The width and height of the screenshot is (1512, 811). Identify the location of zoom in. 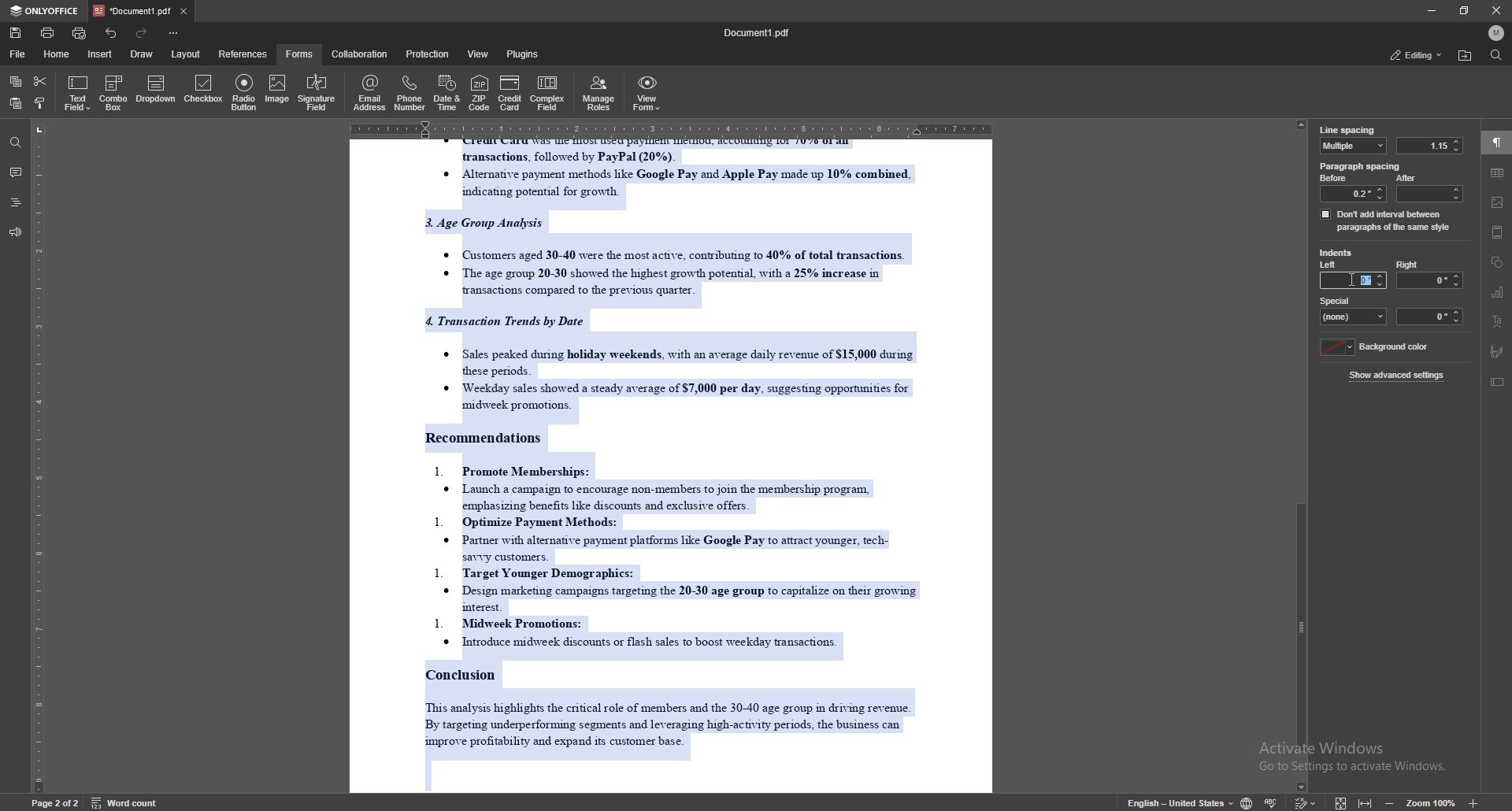
(1472, 803).